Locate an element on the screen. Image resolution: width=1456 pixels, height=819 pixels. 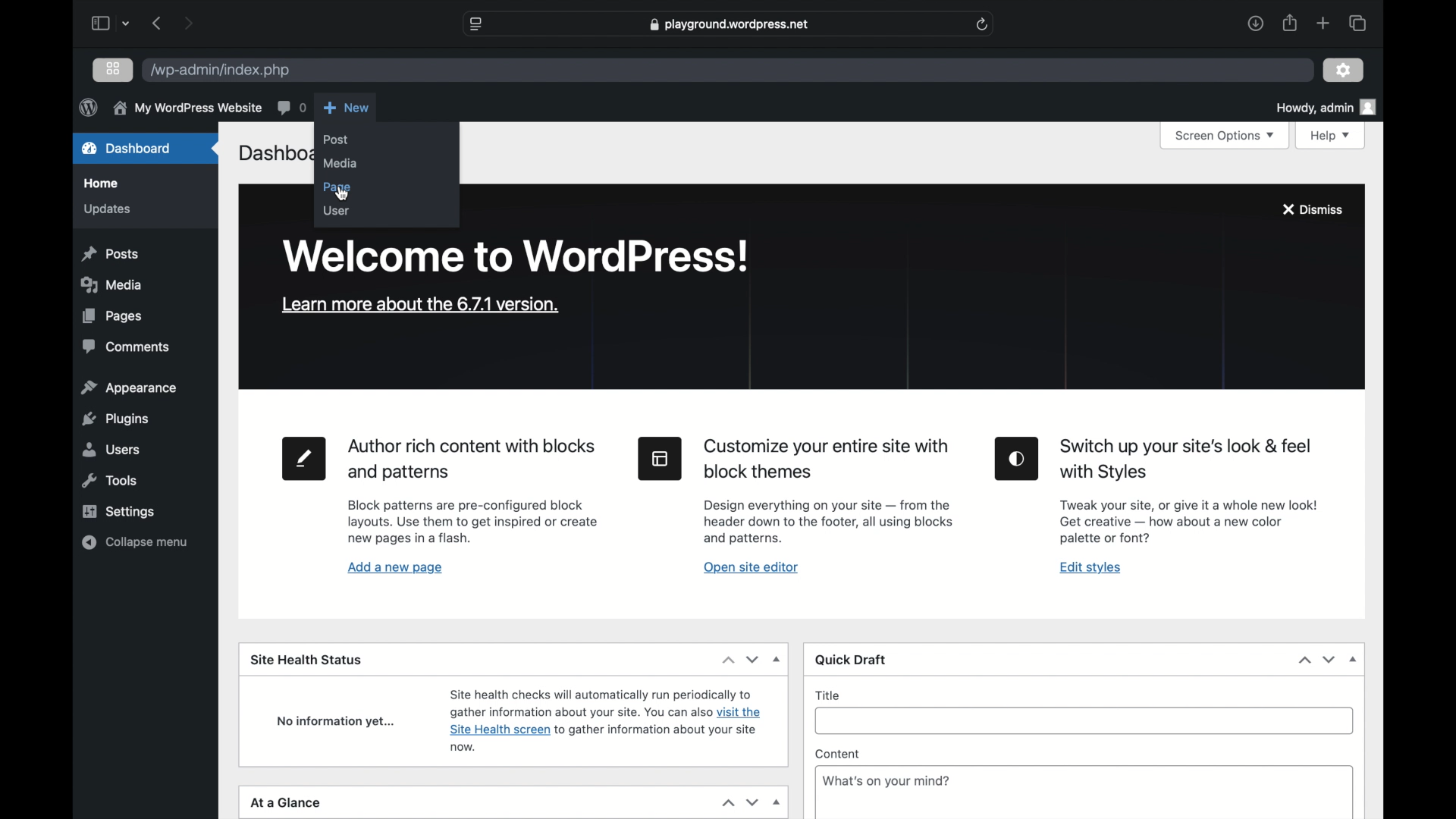
collapse menu is located at coordinates (135, 542).